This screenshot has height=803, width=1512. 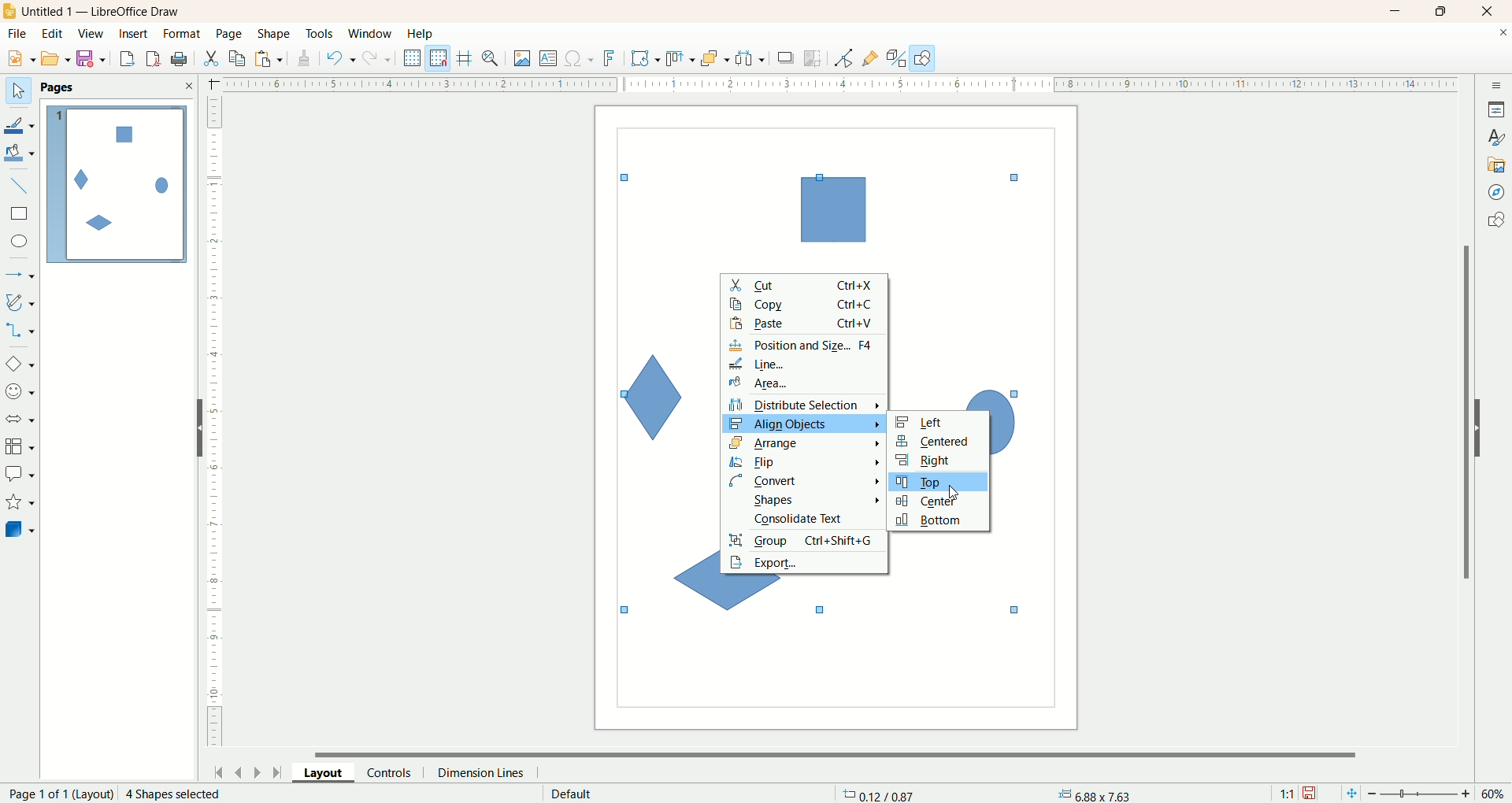 What do you see at coordinates (896, 58) in the screenshot?
I see `toggle extrusion` at bounding box center [896, 58].